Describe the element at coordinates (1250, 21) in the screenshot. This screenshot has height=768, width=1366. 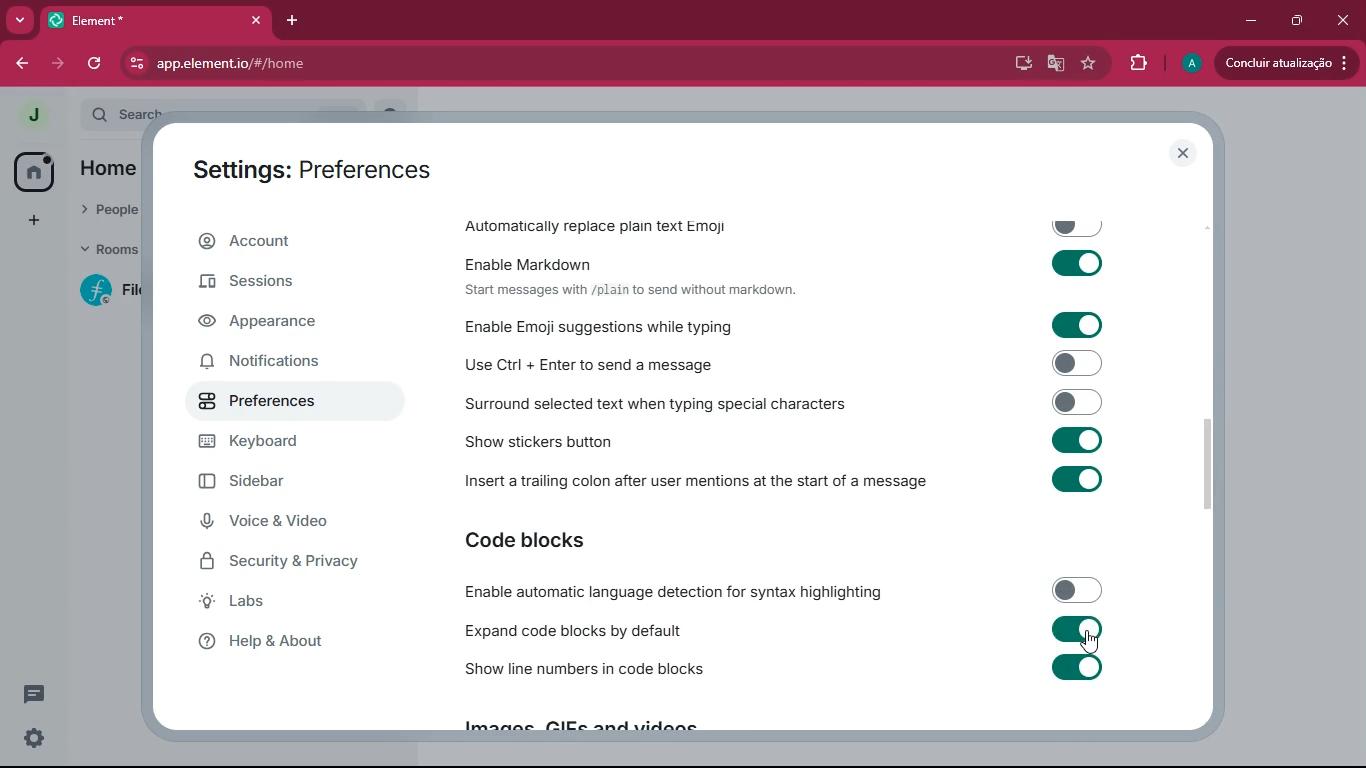
I see `minimize` at that location.